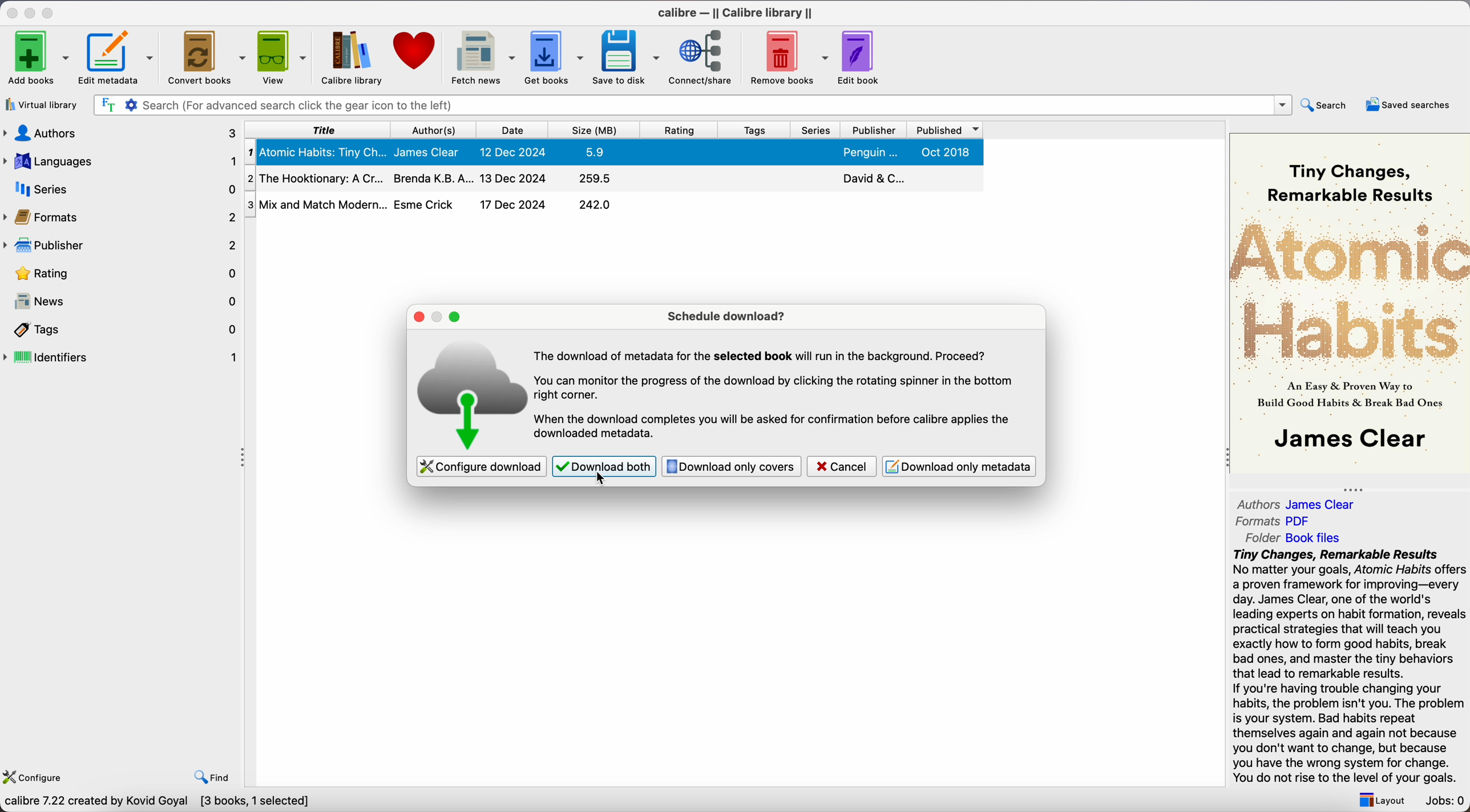 Image resolution: width=1470 pixels, height=812 pixels. I want to click on connect/share, so click(705, 57).